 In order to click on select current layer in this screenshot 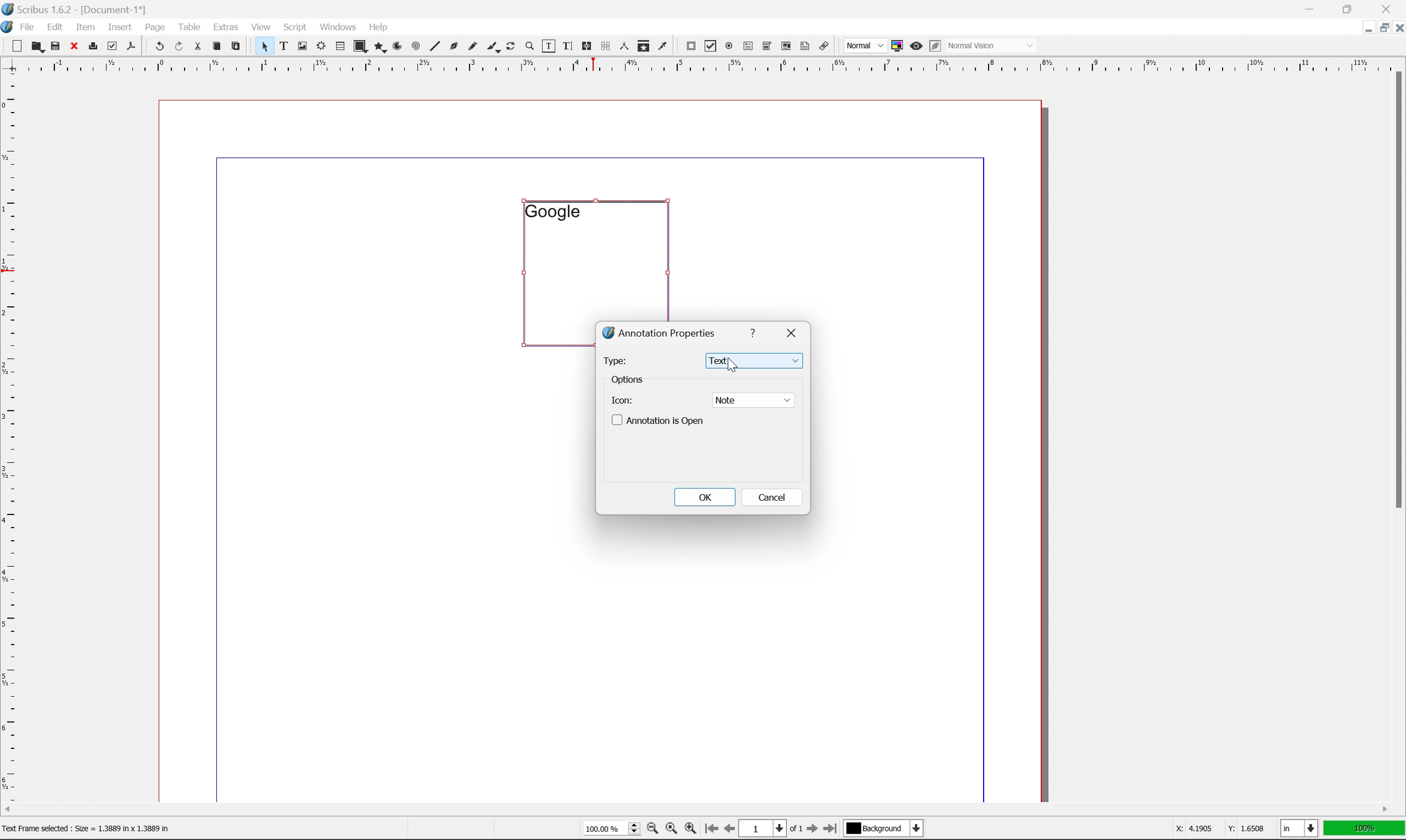, I will do `click(882, 829)`.